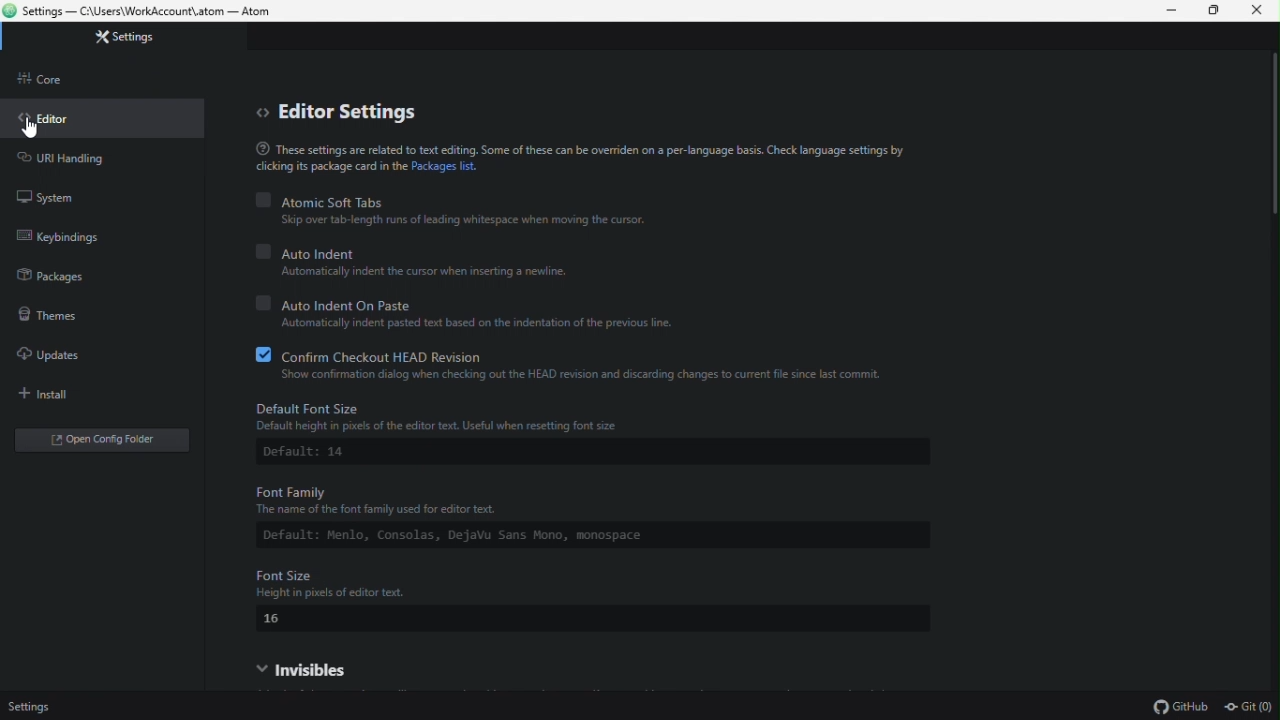 The height and width of the screenshot is (720, 1280). I want to click on Atomic soft tabs, so click(458, 200).